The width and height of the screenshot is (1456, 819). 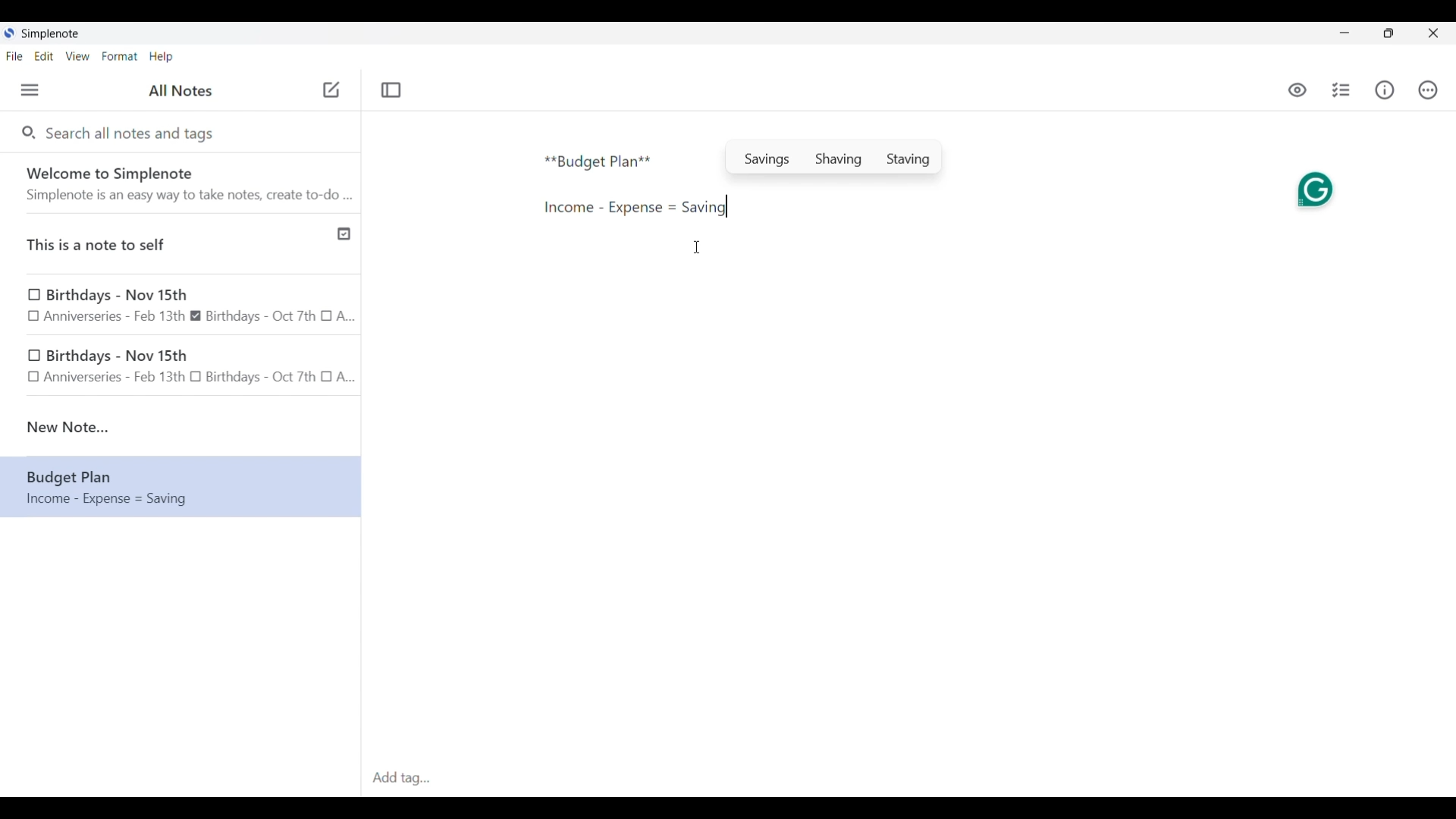 What do you see at coordinates (52, 34) in the screenshot?
I see `Software name` at bounding box center [52, 34].